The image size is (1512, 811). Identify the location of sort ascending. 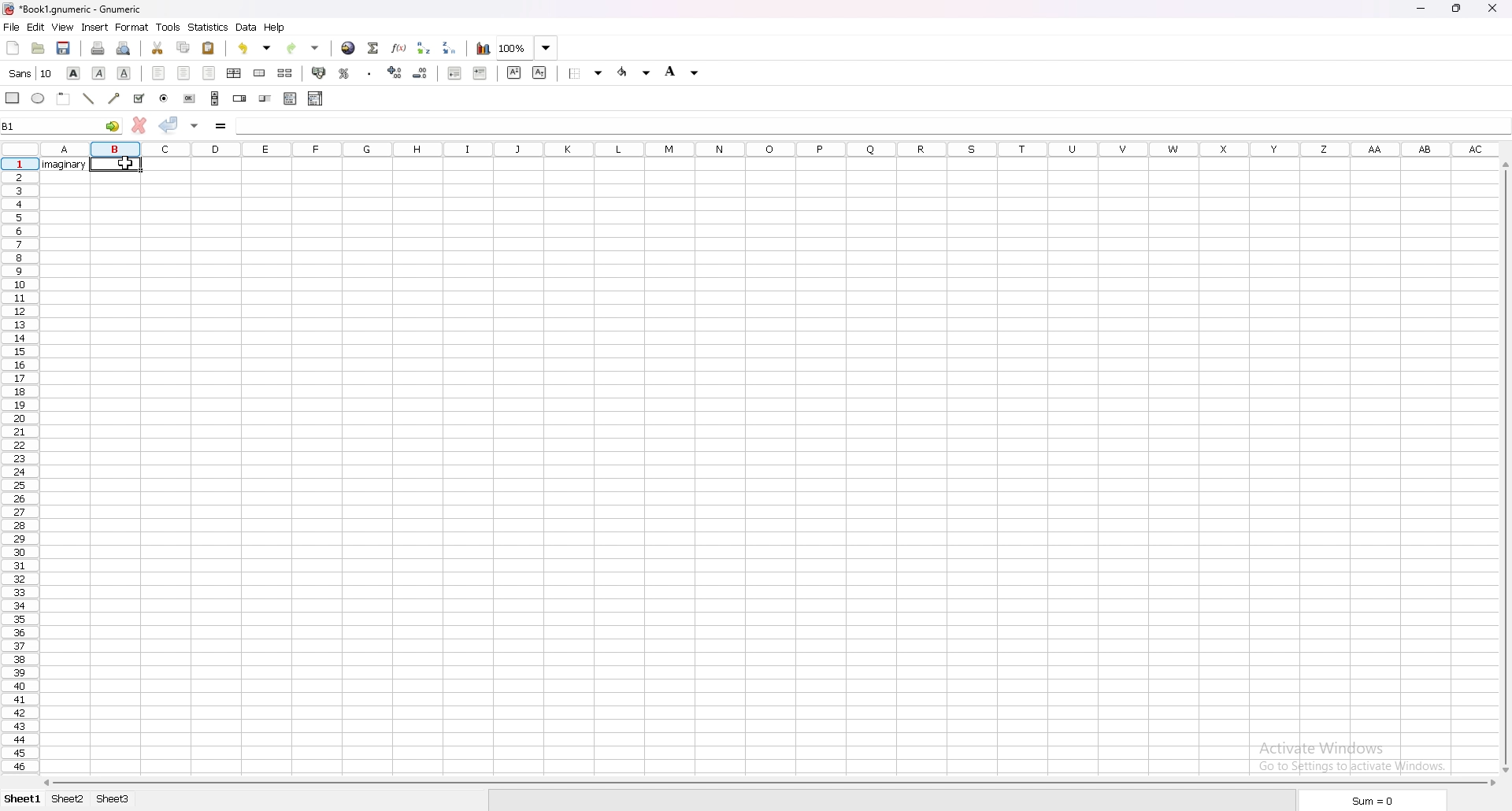
(425, 48).